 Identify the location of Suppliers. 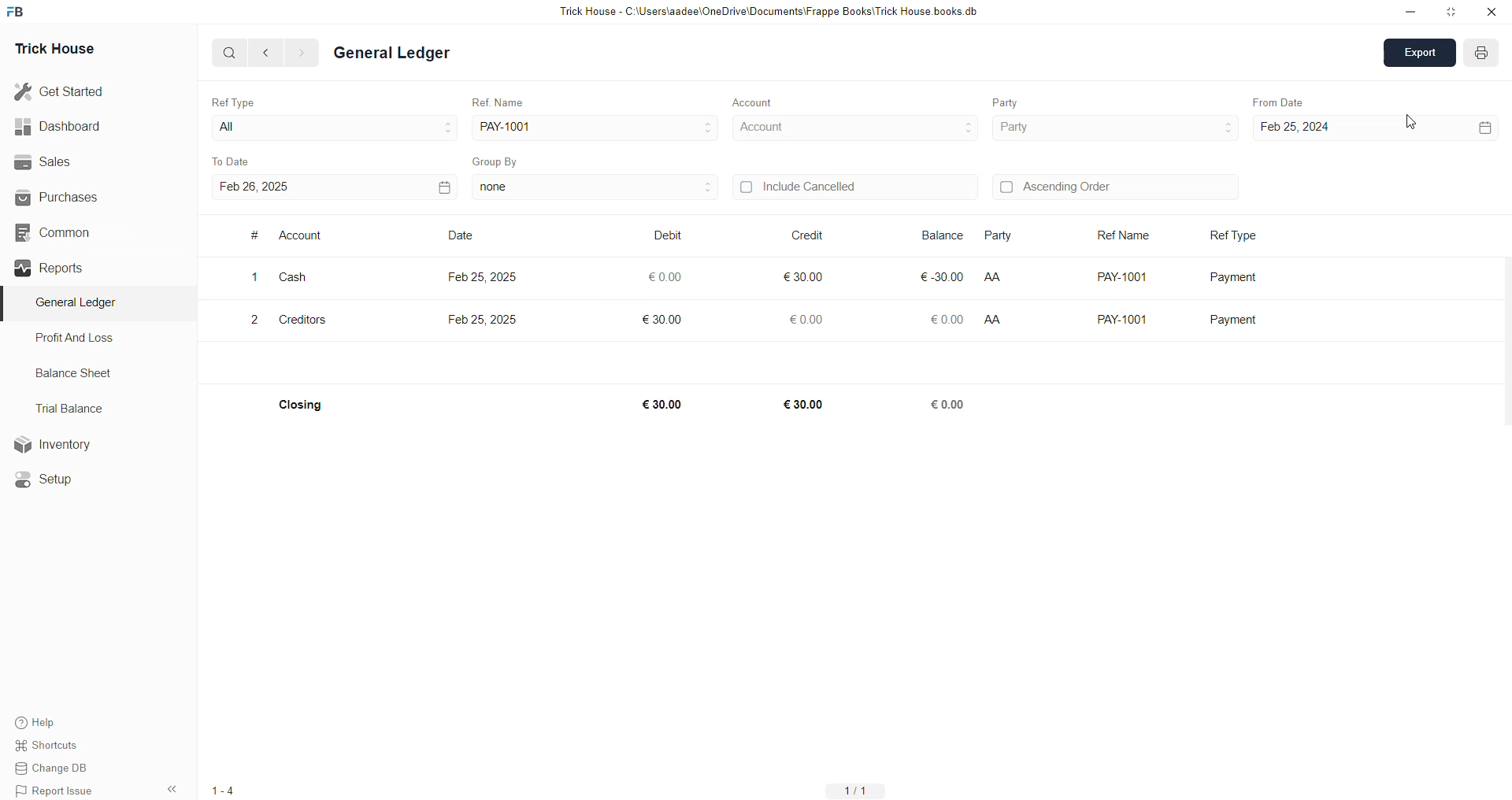
(69, 303).